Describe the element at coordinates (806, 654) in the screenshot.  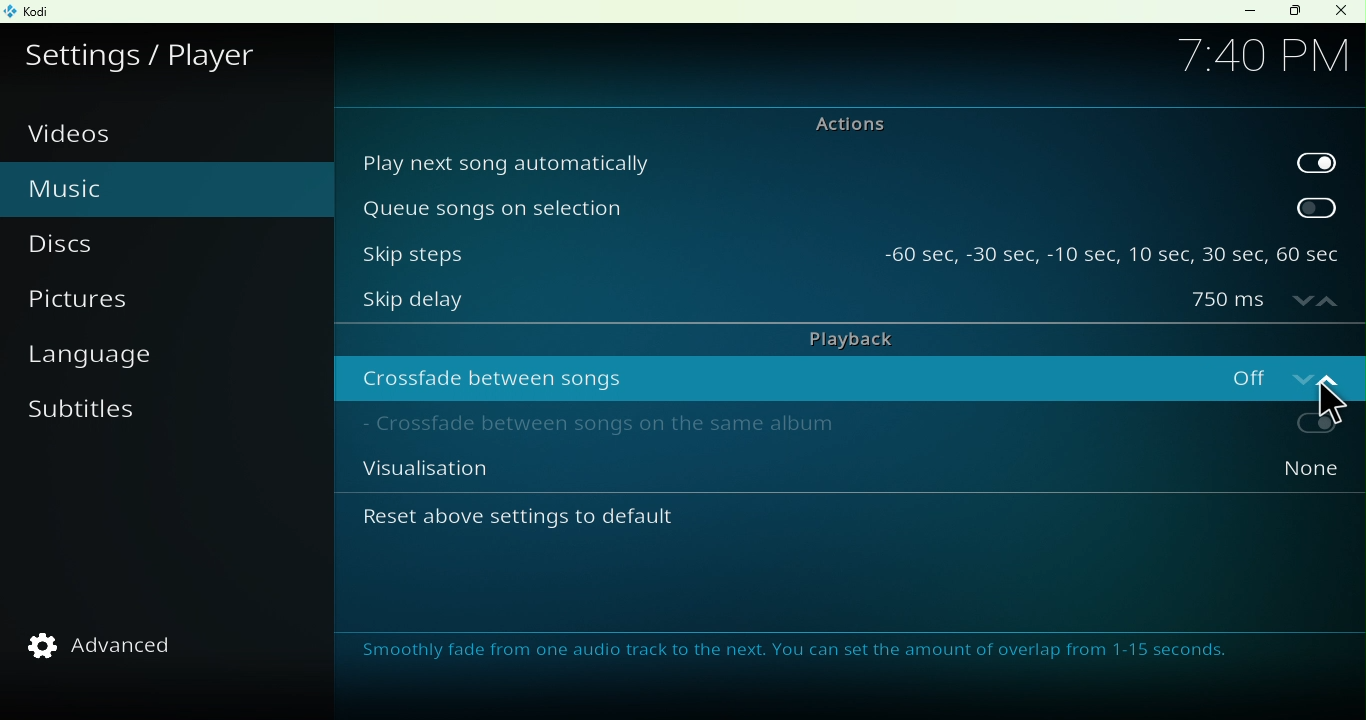
I see `Note` at that location.